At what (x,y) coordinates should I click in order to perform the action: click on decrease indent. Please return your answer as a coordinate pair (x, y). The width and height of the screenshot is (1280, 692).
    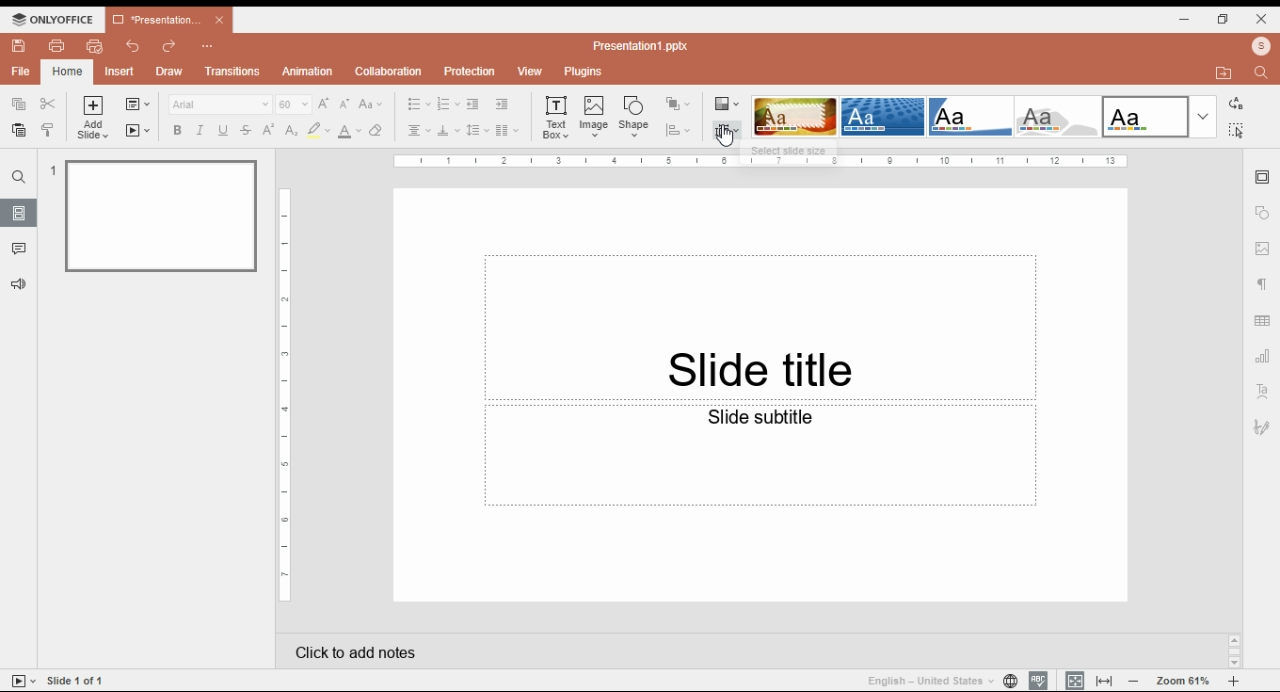
    Looking at the image, I should click on (472, 105).